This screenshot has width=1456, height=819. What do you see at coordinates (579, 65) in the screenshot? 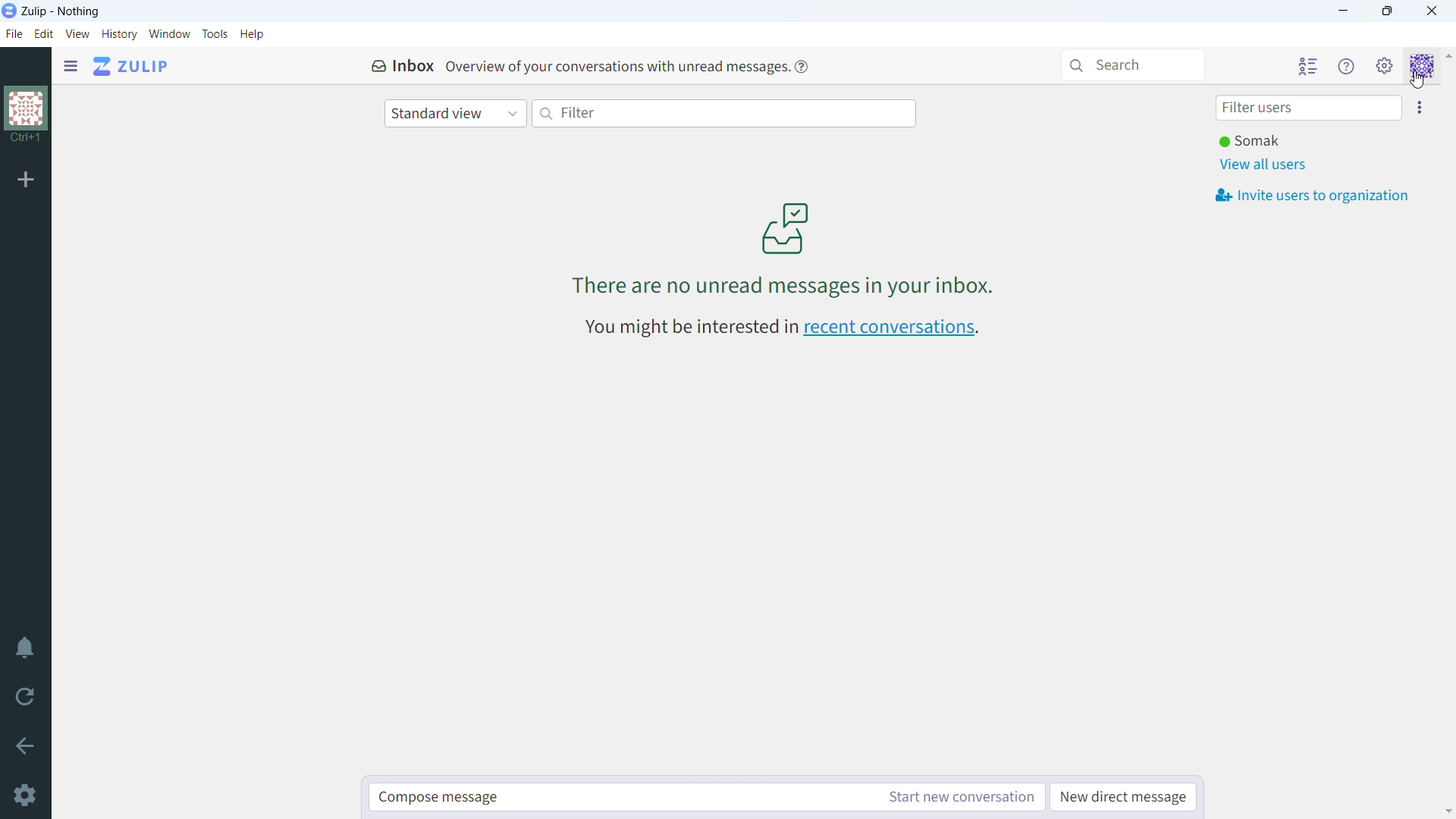
I see `& Inbox Overview of your conversations with unread messages` at bounding box center [579, 65].